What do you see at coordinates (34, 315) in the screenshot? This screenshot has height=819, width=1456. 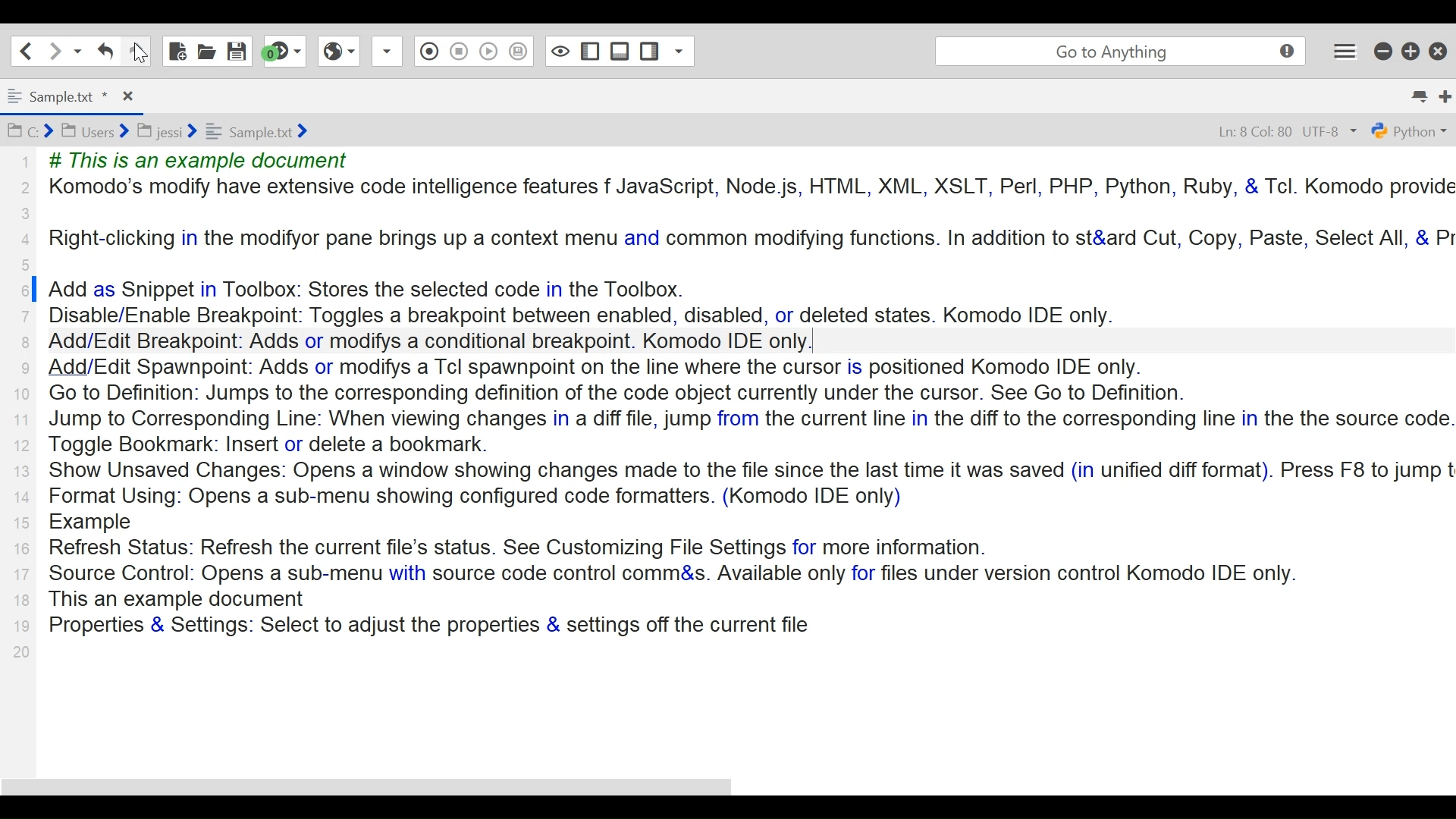 I see `Vertical scroll bar` at bounding box center [34, 315].